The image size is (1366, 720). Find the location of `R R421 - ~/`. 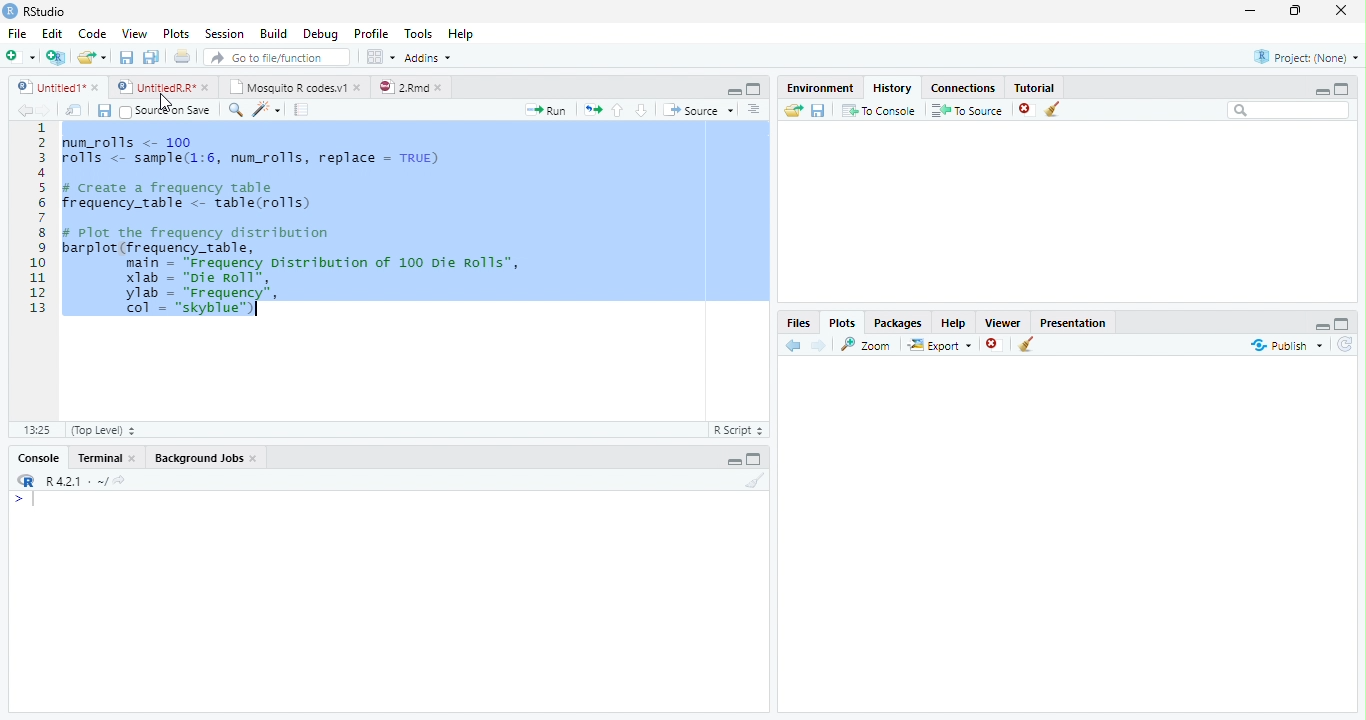

R R421 - ~/ is located at coordinates (69, 481).